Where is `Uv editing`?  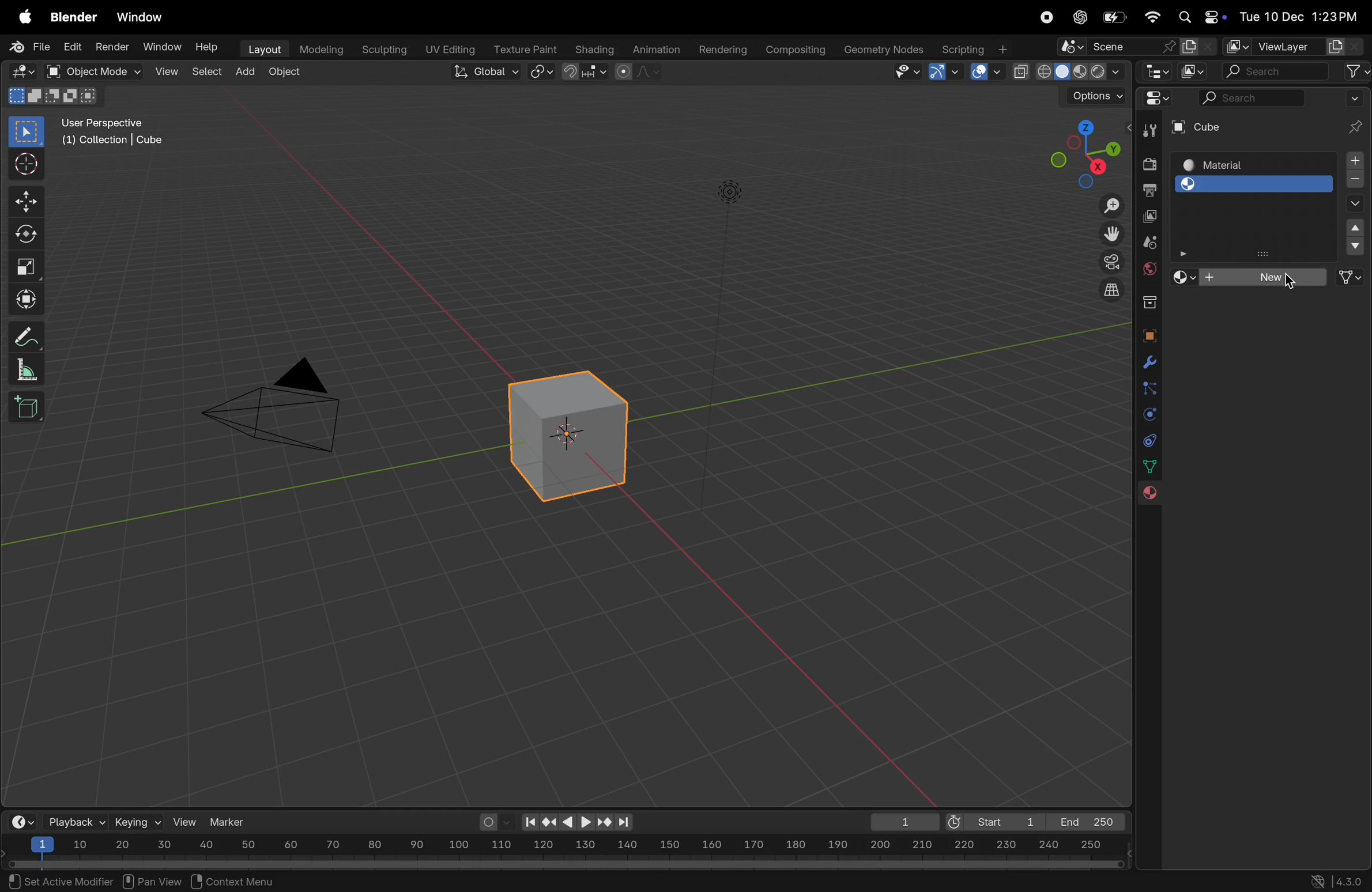 Uv editing is located at coordinates (446, 47).